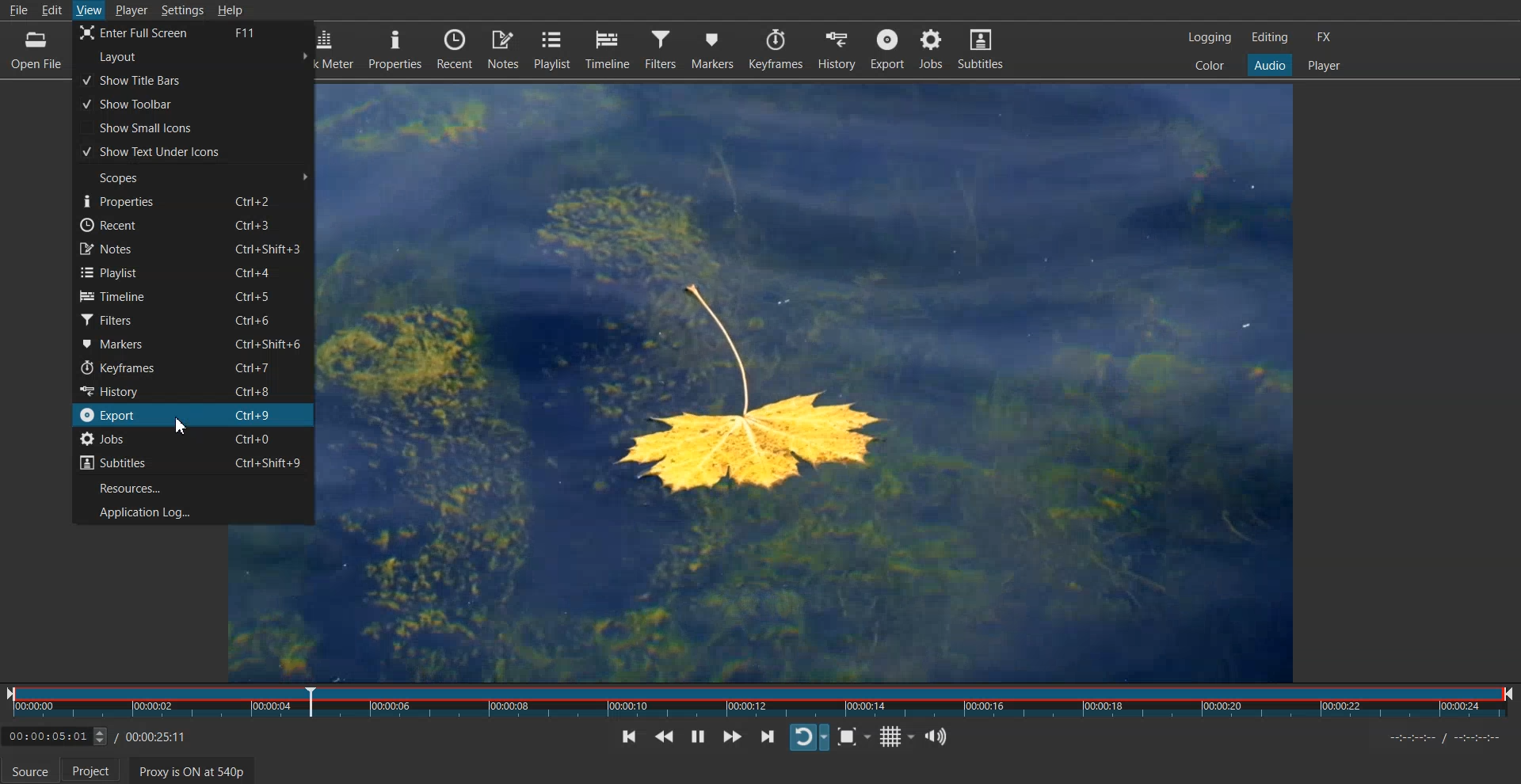 This screenshot has width=1521, height=784. What do you see at coordinates (192, 461) in the screenshot?
I see `Subtitles` at bounding box center [192, 461].